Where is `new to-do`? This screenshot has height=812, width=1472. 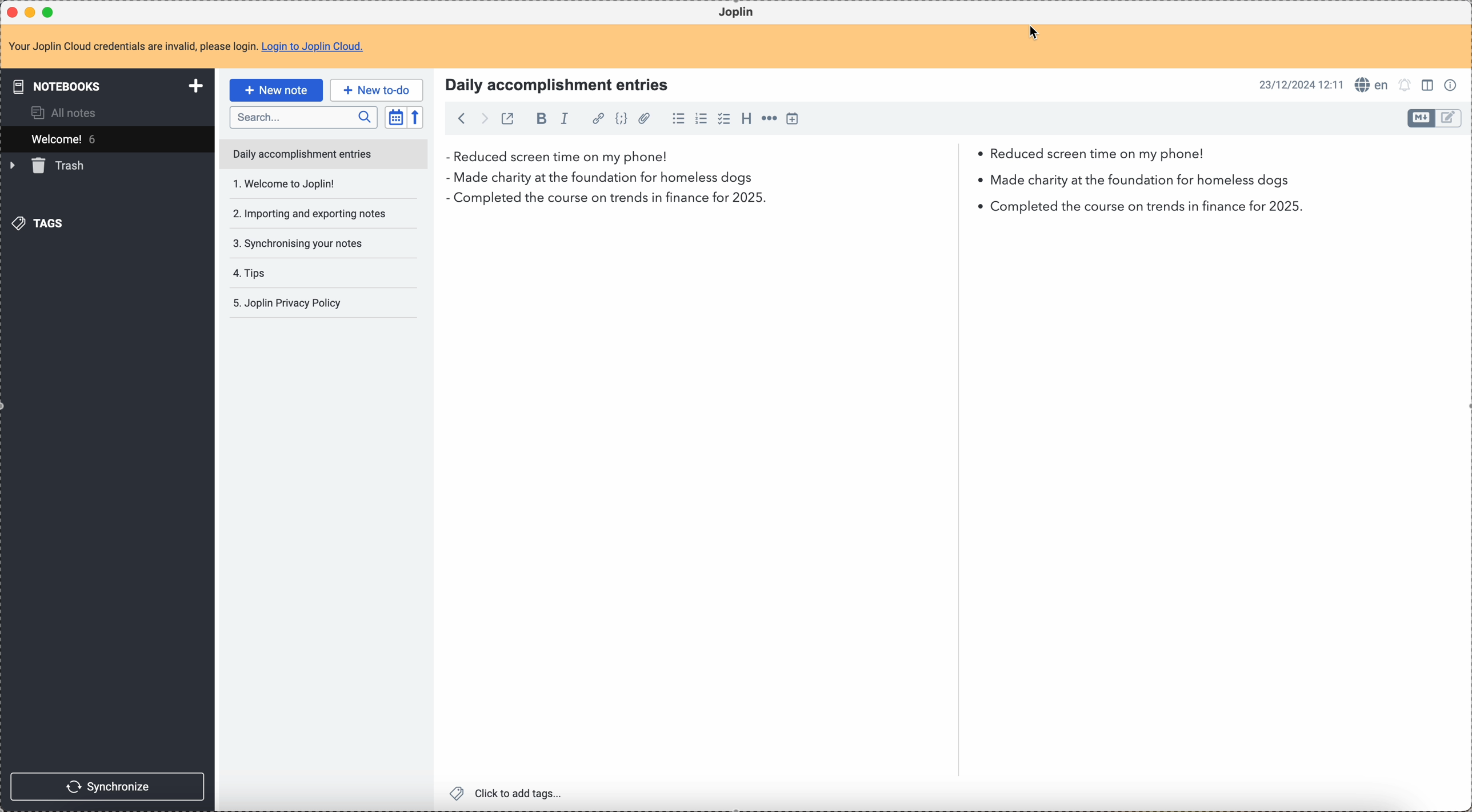
new to-do is located at coordinates (377, 89).